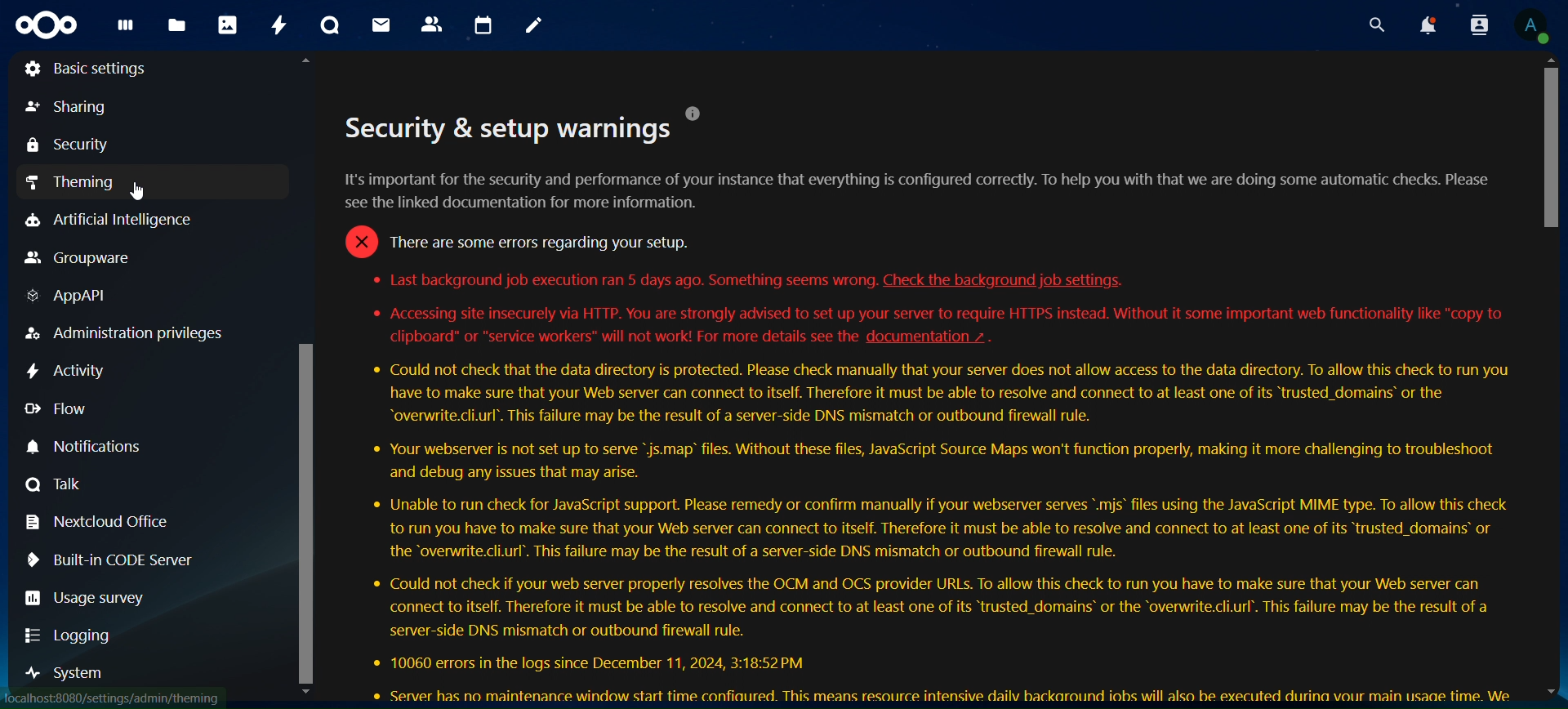 This screenshot has height=709, width=1568. Describe the element at coordinates (280, 24) in the screenshot. I see `activity` at that location.